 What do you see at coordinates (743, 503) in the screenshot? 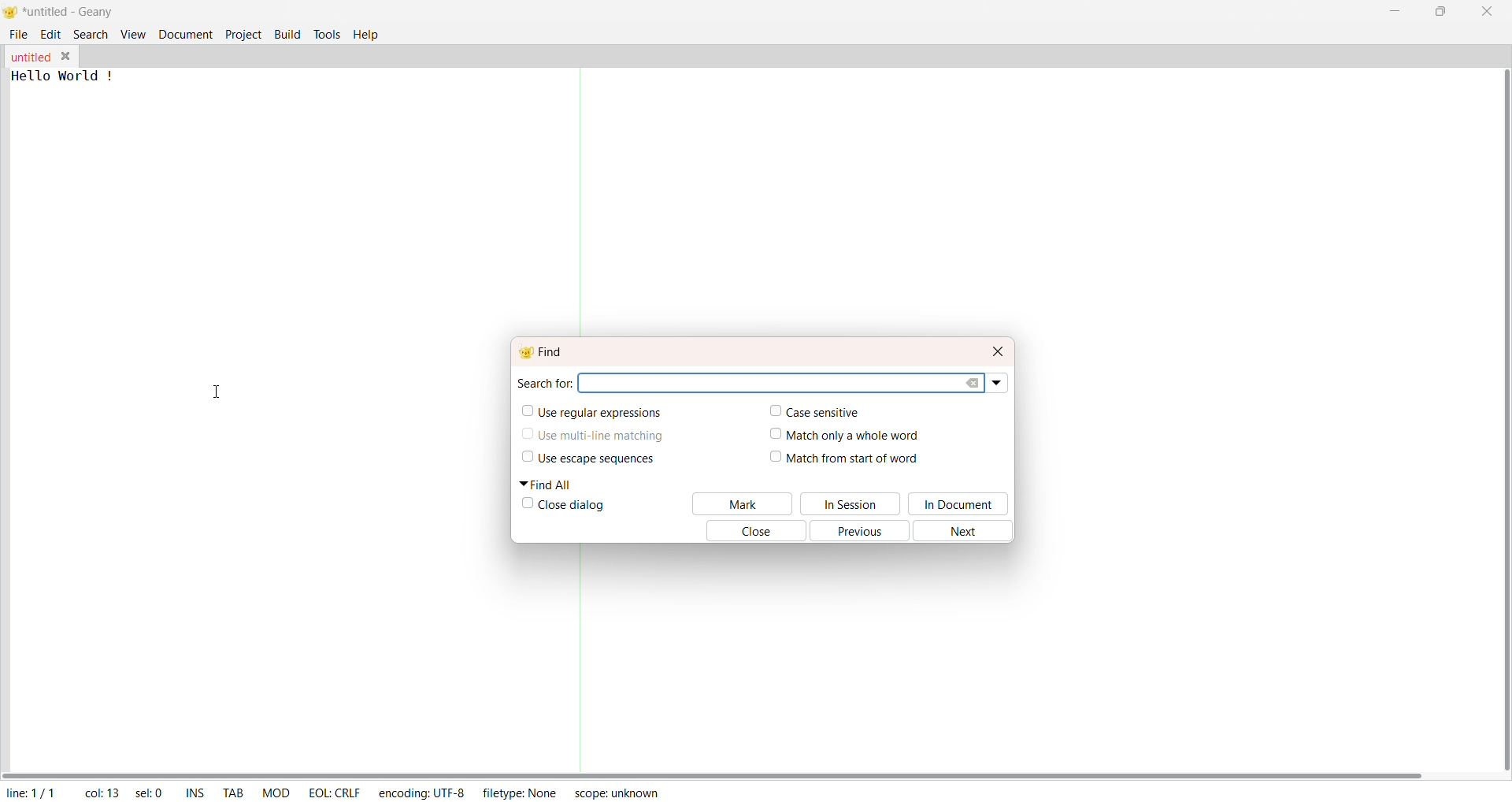
I see `mark` at bounding box center [743, 503].